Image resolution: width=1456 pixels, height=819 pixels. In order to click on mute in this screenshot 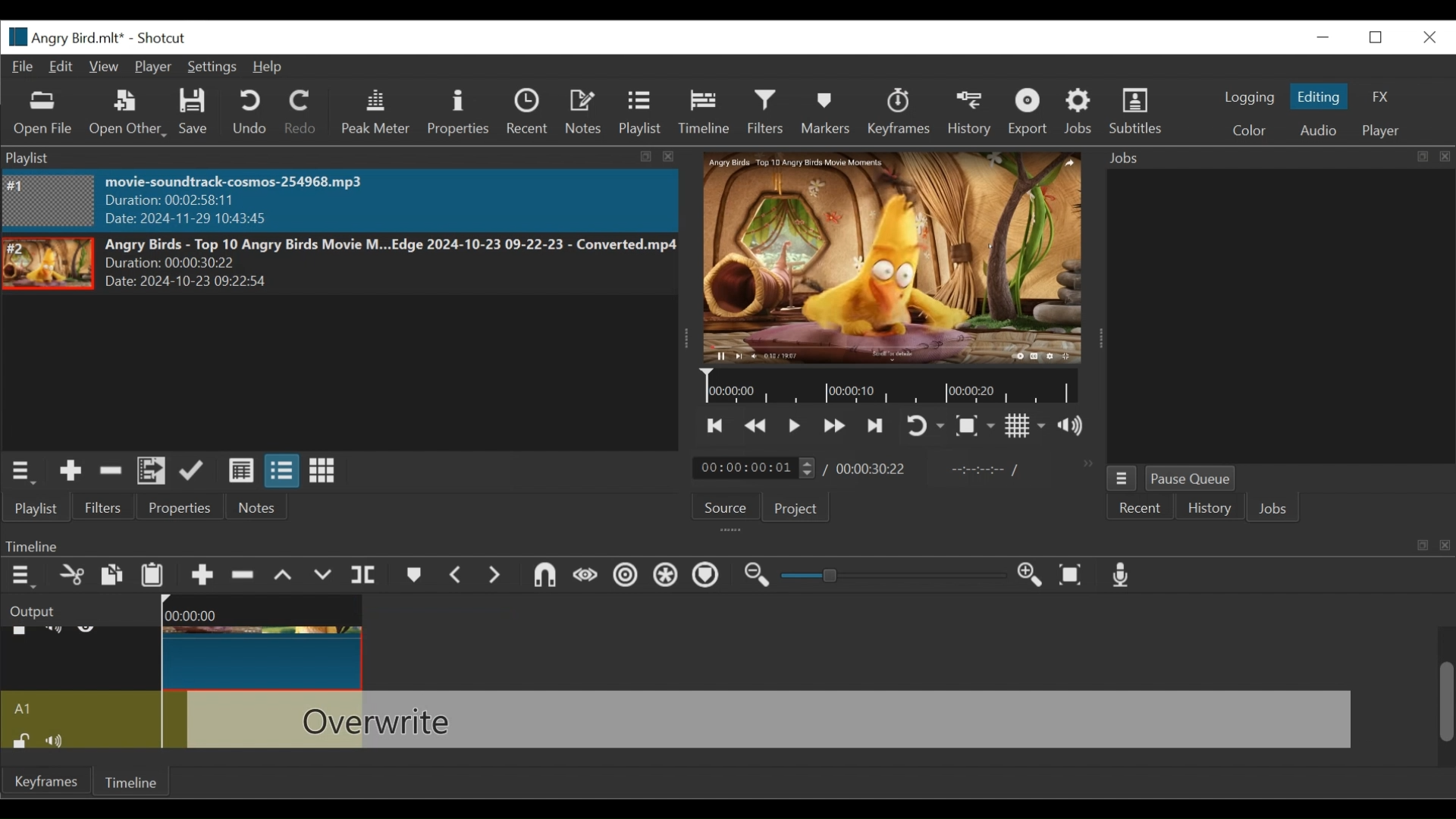, I will do `click(60, 739)`.